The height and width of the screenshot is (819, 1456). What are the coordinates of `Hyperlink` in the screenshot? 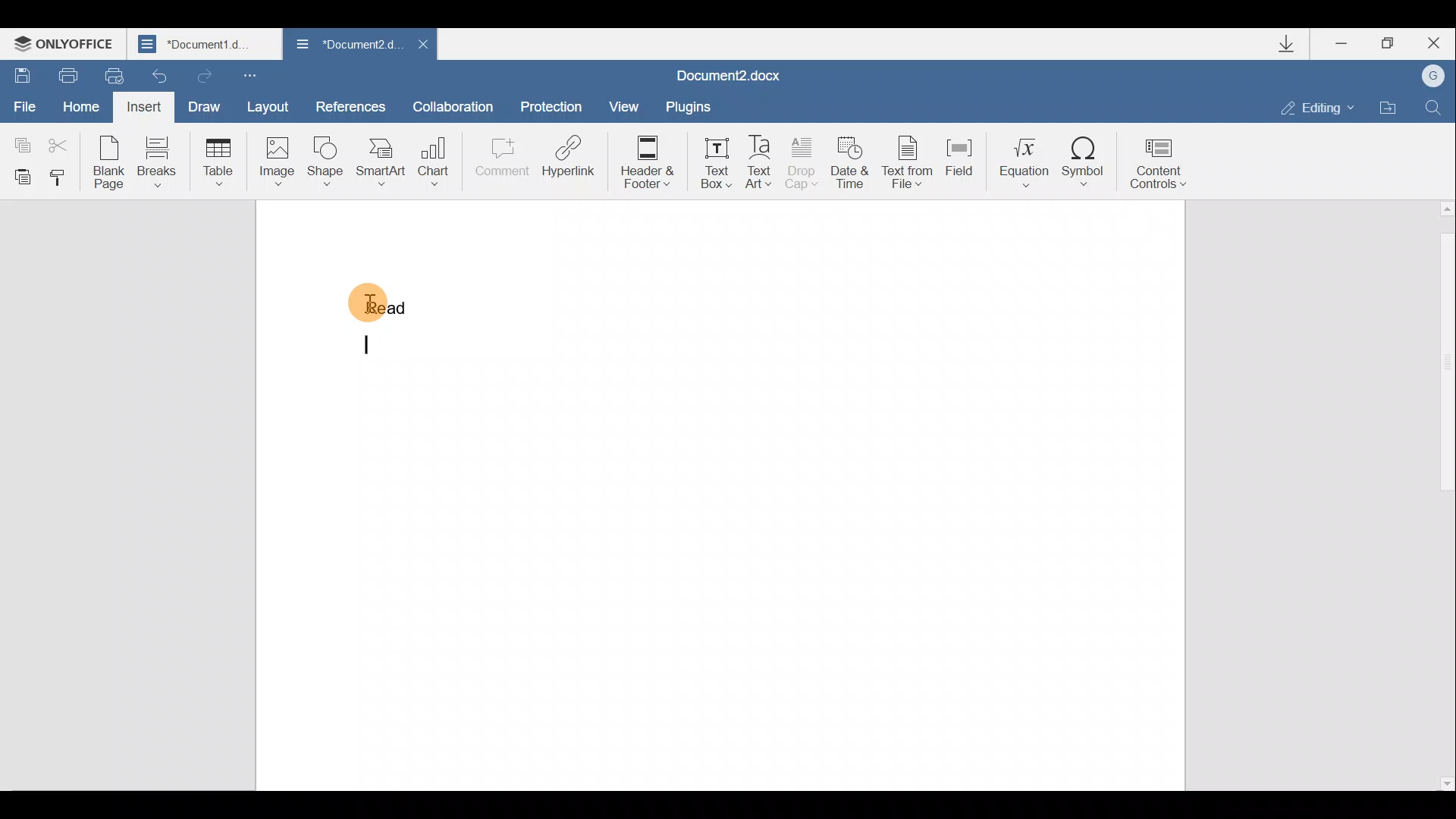 It's located at (569, 155).